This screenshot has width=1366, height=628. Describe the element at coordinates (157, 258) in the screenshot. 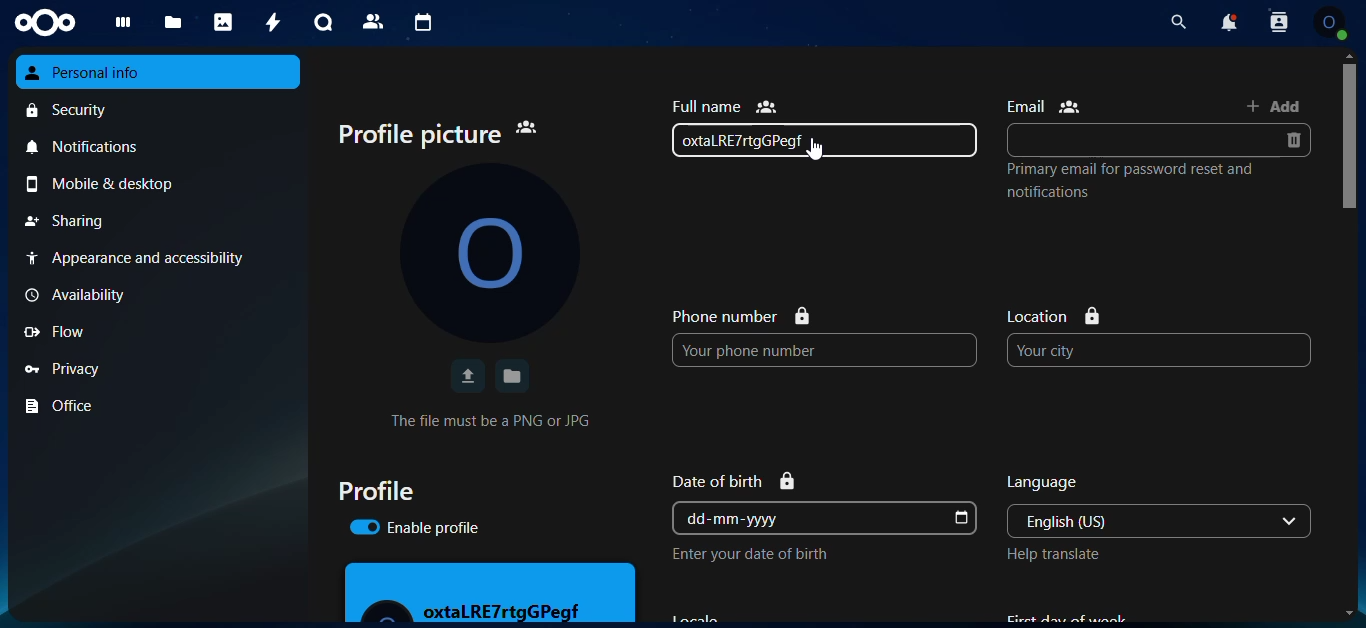

I see `Appearance and accessibility` at that location.